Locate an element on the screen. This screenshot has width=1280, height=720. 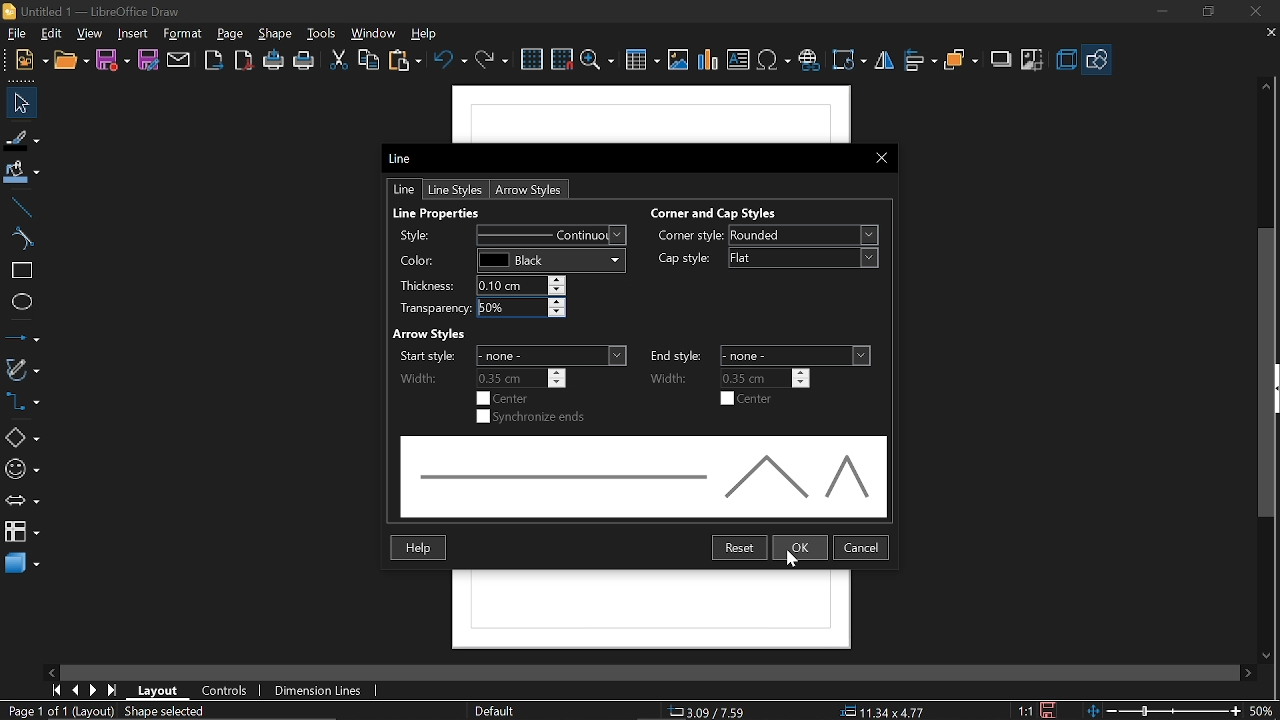
Arrow Styles is located at coordinates (444, 332).